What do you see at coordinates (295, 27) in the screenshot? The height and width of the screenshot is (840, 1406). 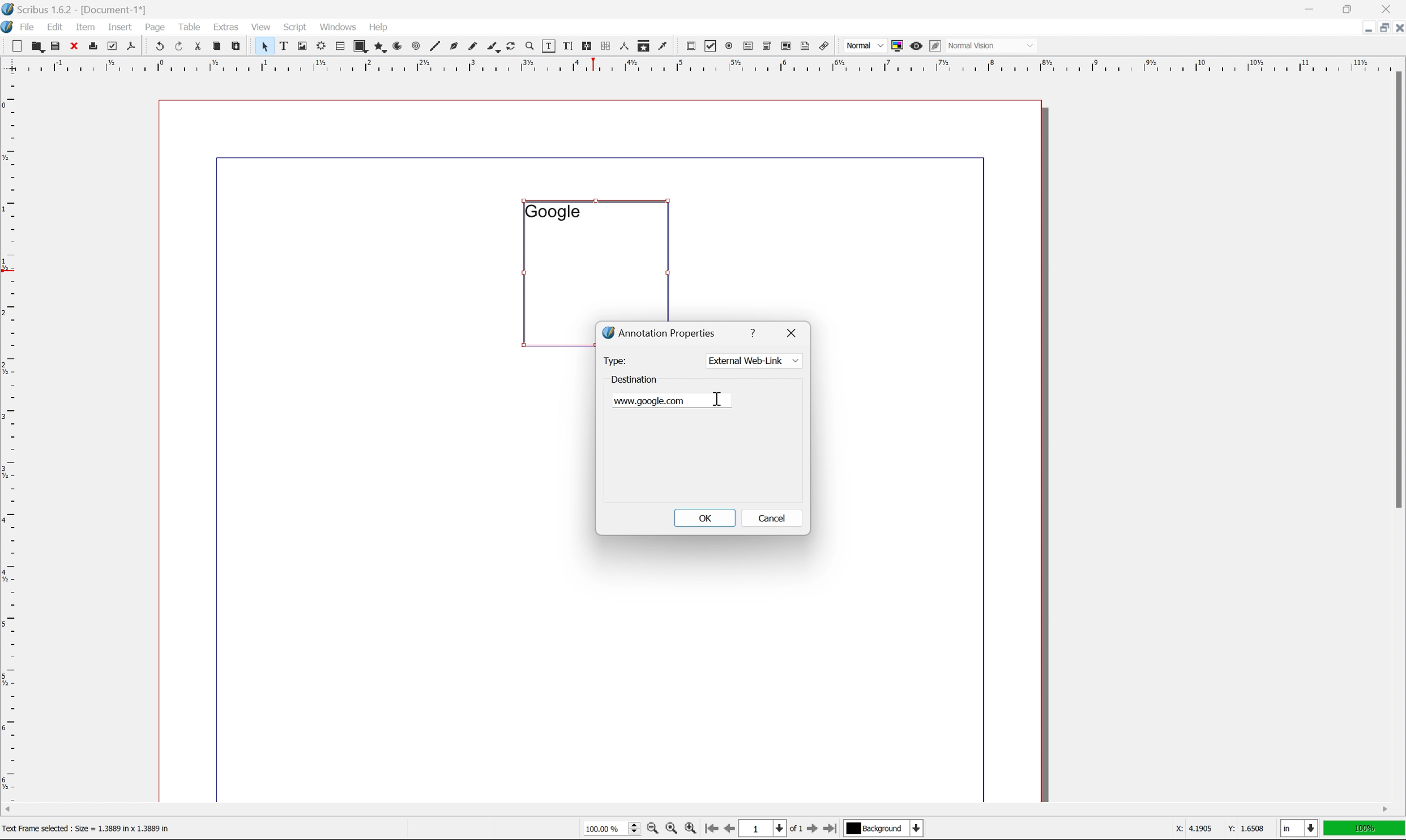 I see `script` at bounding box center [295, 27].